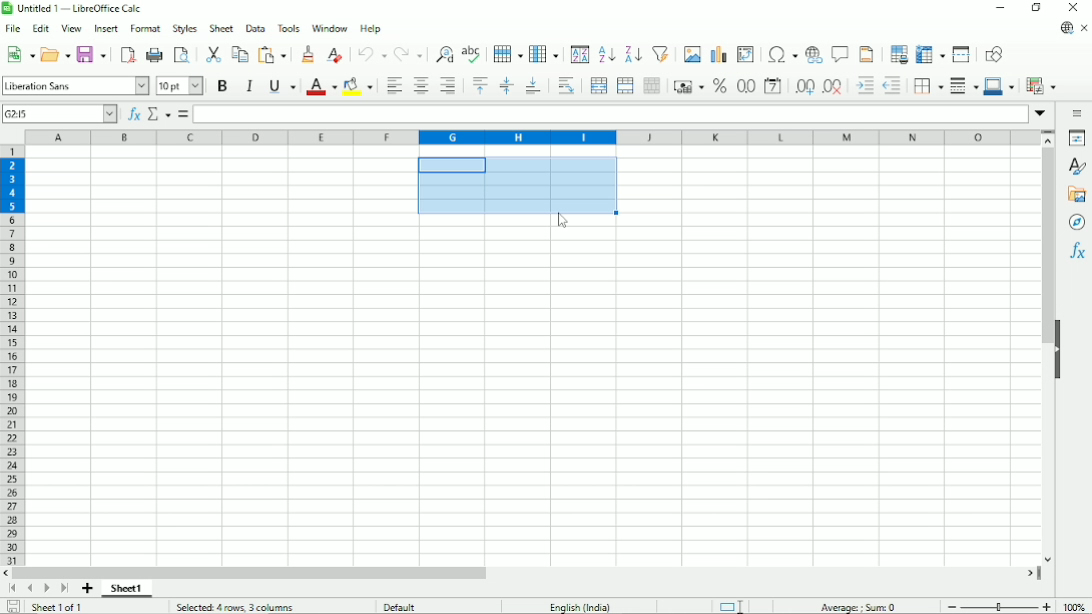 Image resolution: width=1092 pixels, height=614 pixels. Describe the element at coordinates (273, 54) in the screenshot. I see `Paste` at that location.